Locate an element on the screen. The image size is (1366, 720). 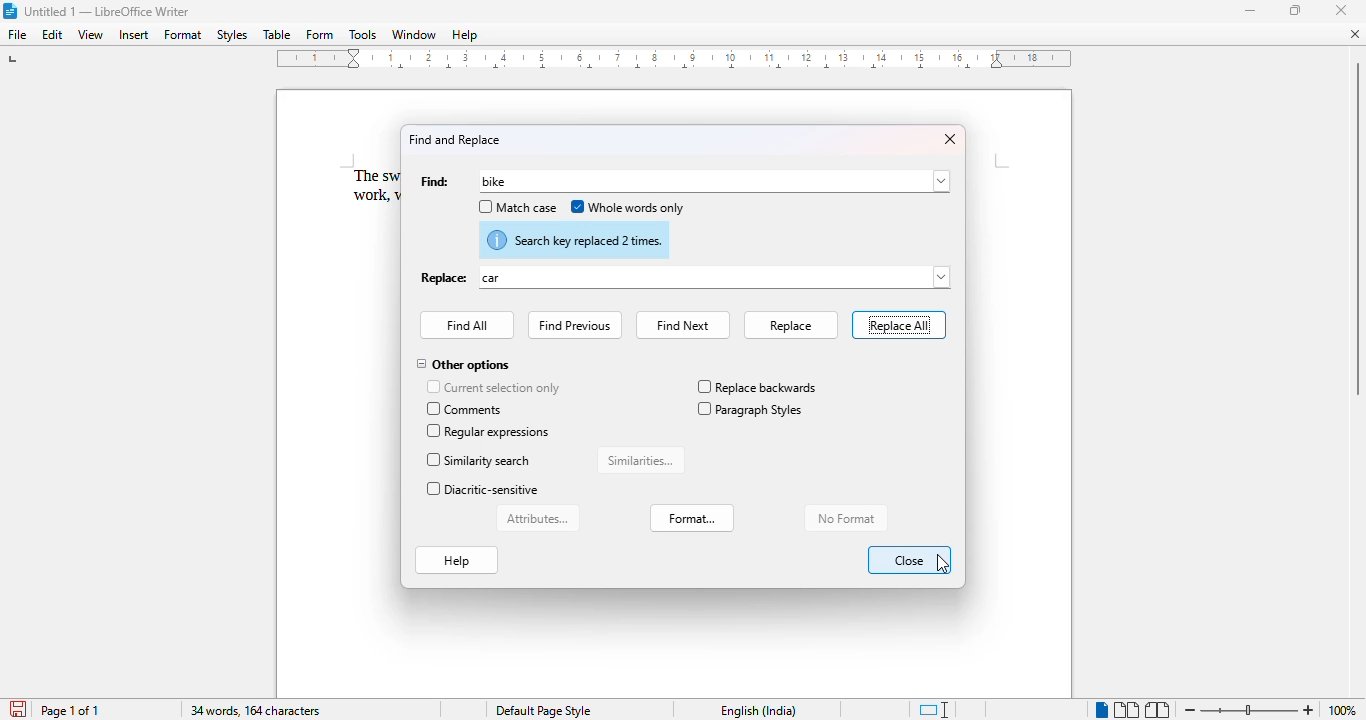
find and replace is located at coordinates (454, 139).